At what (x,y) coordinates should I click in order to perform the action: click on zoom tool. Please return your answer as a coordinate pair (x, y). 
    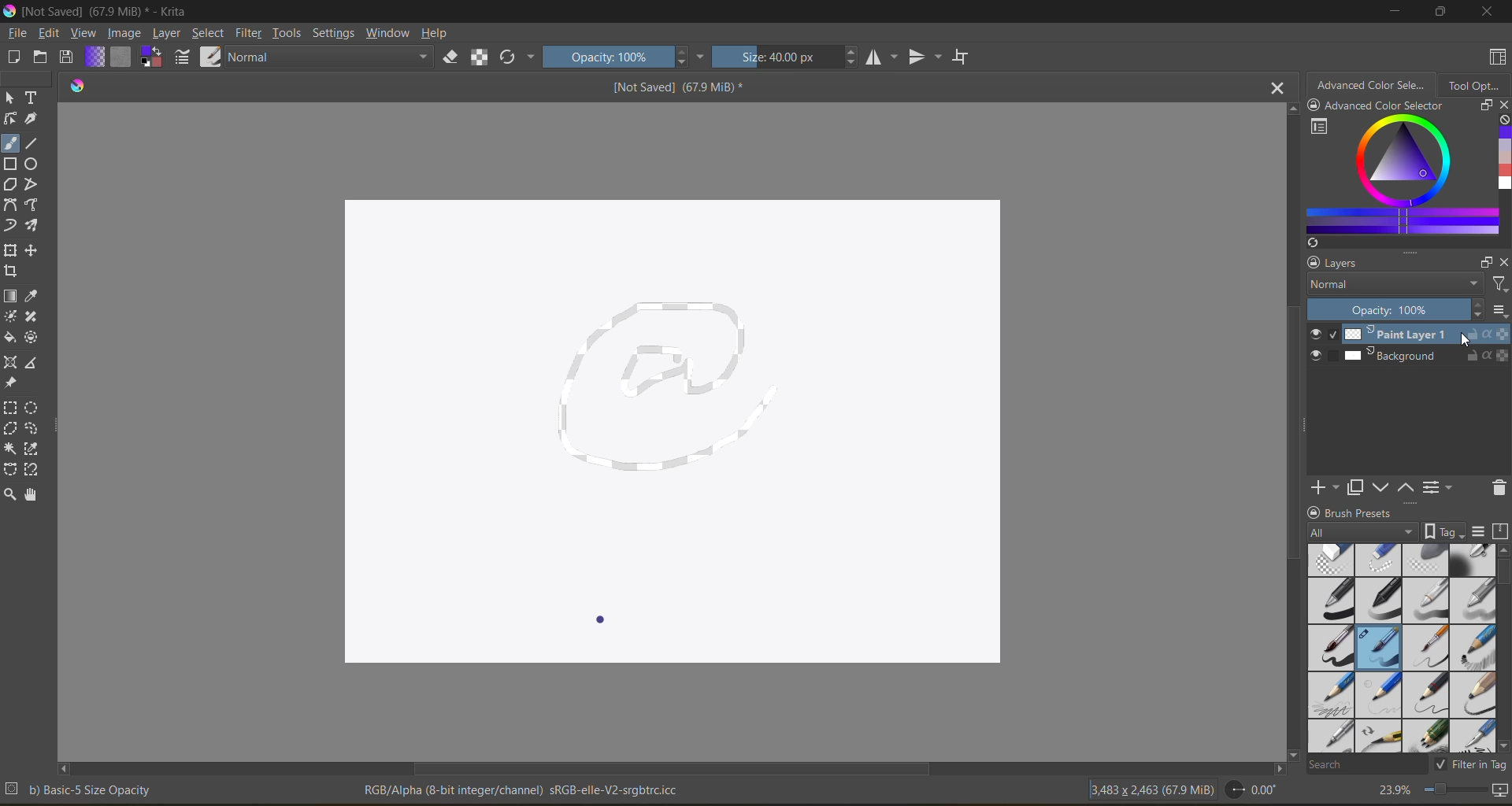
    Looking at the image, I should click on (10, 494).